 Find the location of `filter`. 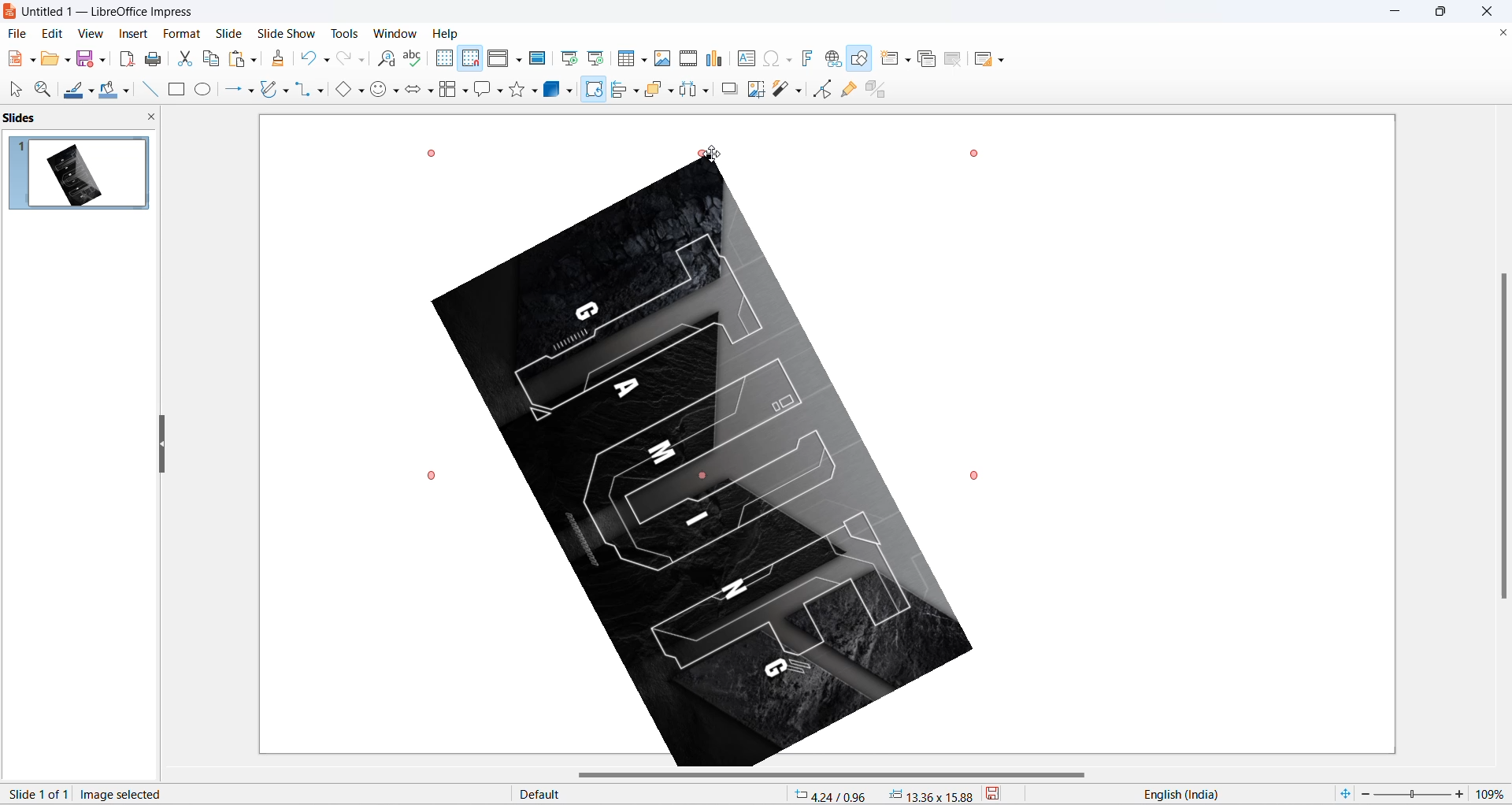

filter is located at coordinates (781, 91).